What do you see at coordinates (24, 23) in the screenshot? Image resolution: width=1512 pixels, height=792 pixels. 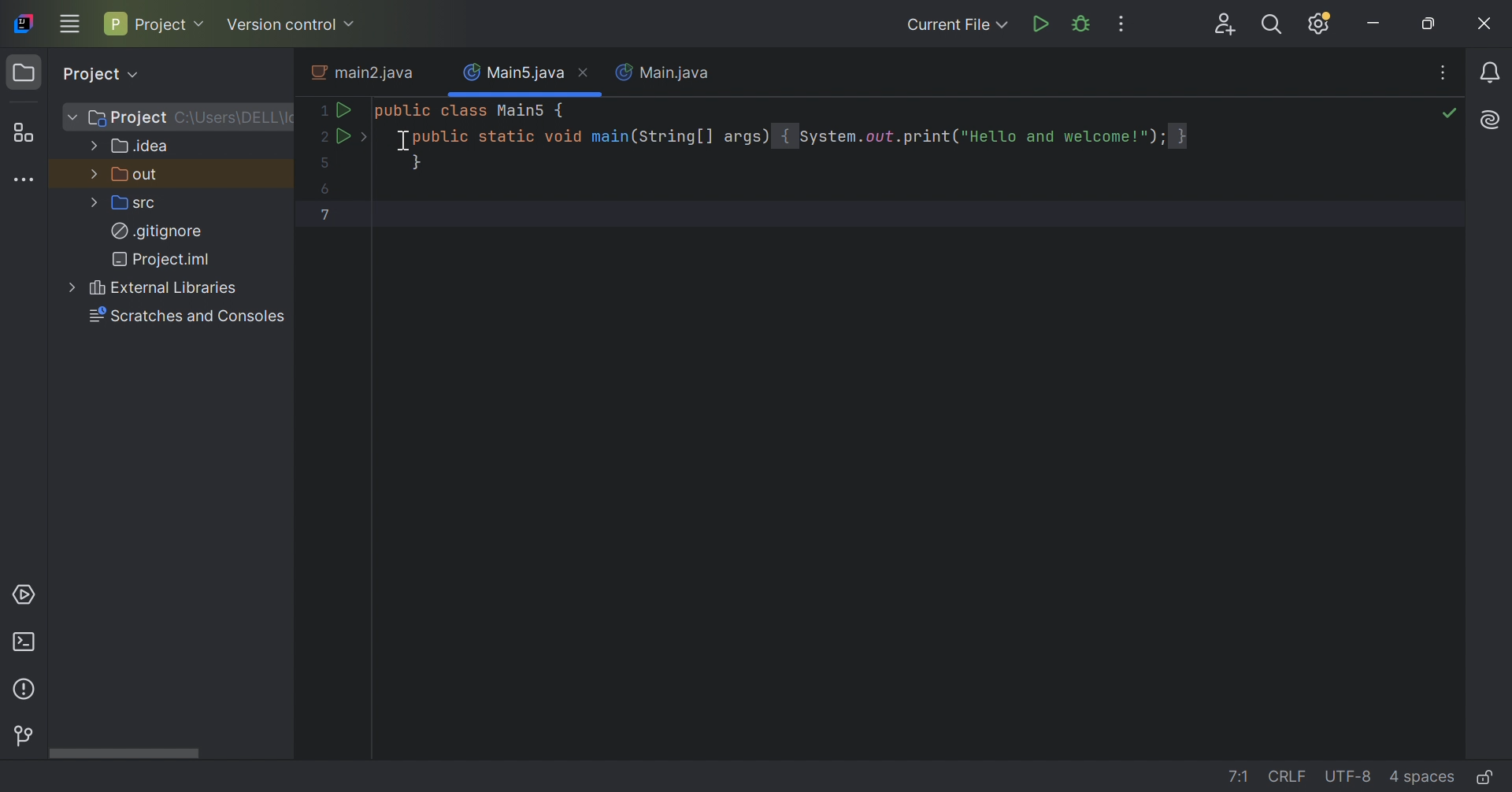 I see `IntelliJ IDEA icon` at bounding box center [24, 23].